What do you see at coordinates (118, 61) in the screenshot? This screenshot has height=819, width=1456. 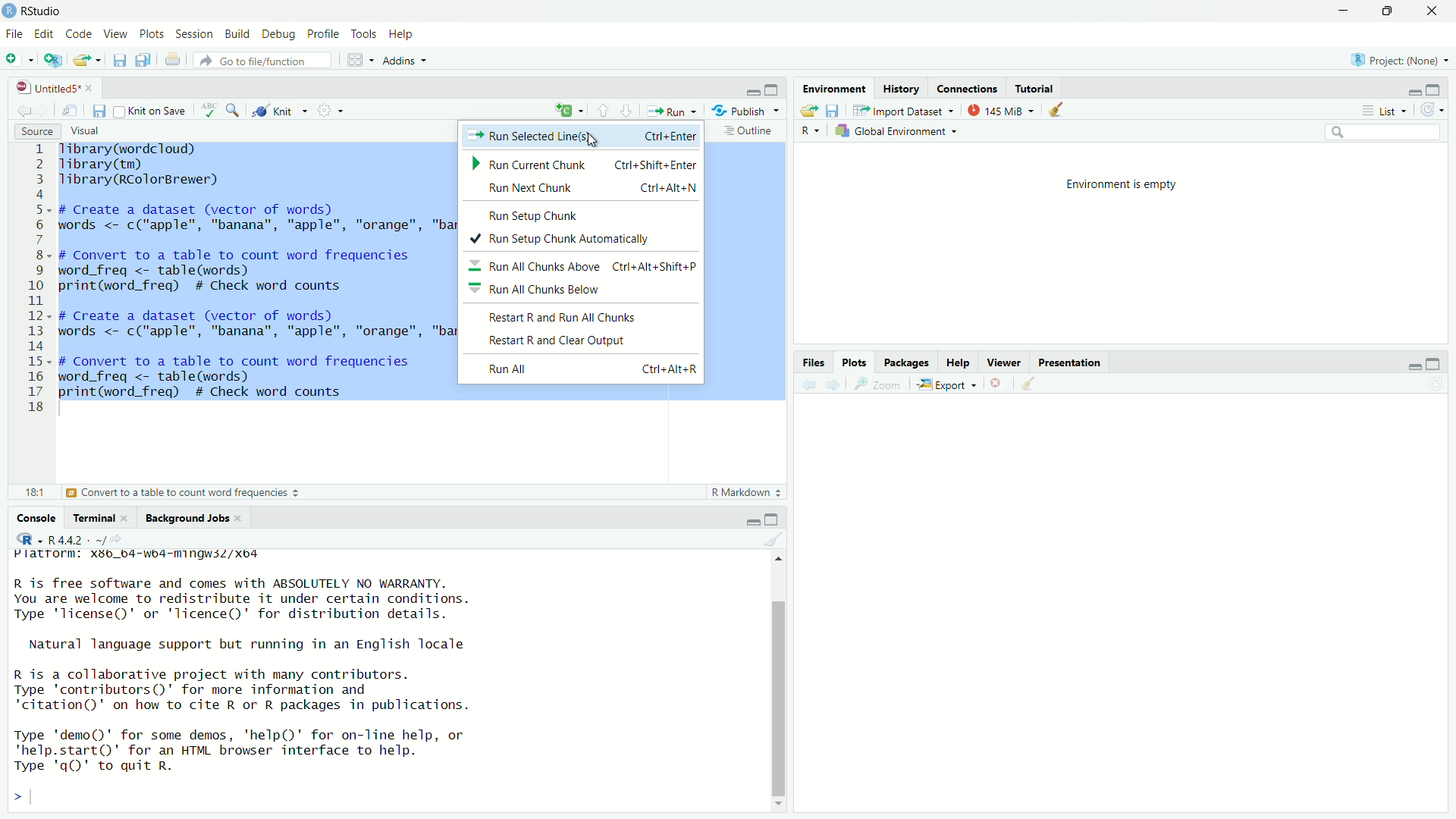 I see `Save Current Document` at bounding box center [118, 61].